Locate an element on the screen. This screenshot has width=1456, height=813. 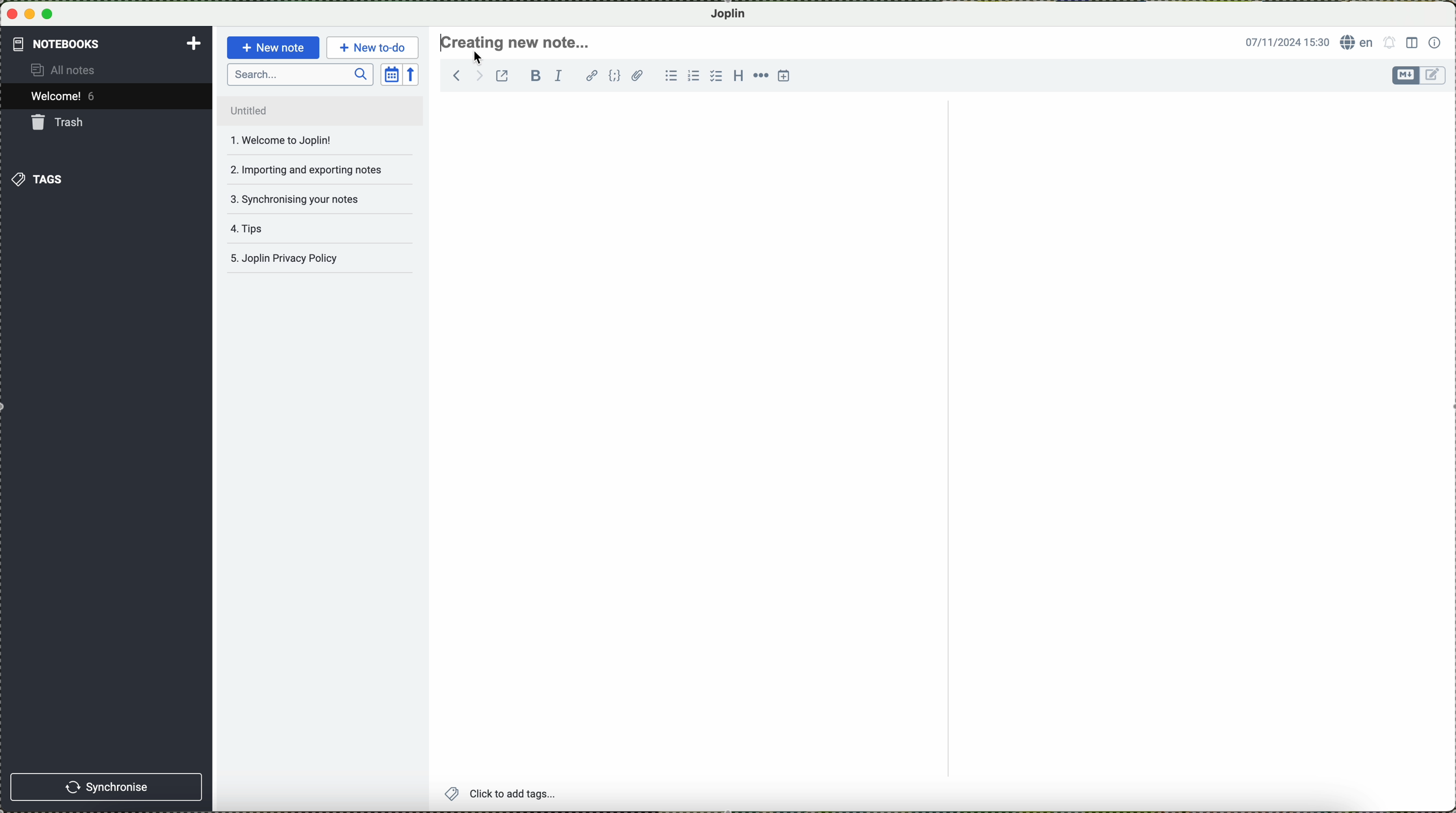
Joplin privacy policy is located at coordinates (317, 261).